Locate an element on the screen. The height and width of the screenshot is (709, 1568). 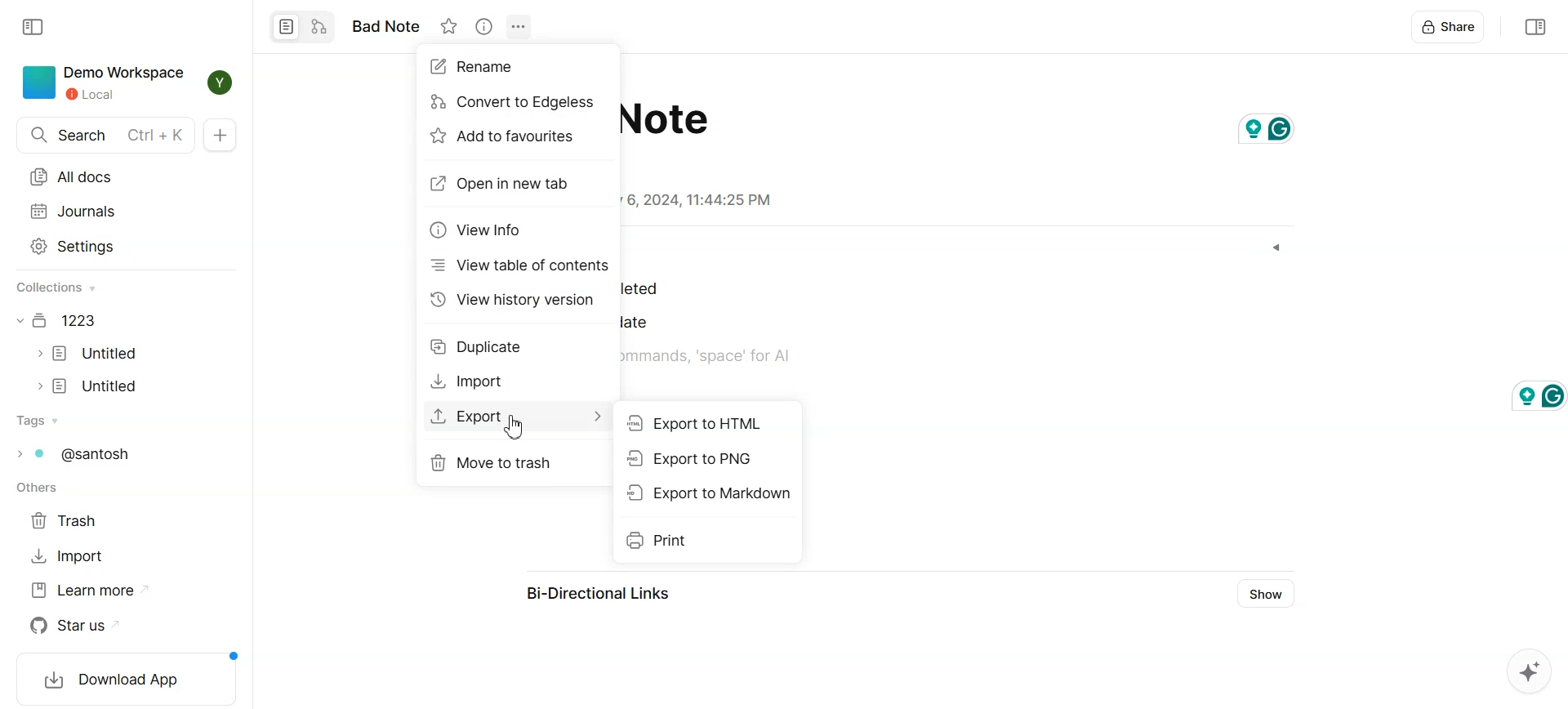
Search doc is located at coordinates (106, 136).